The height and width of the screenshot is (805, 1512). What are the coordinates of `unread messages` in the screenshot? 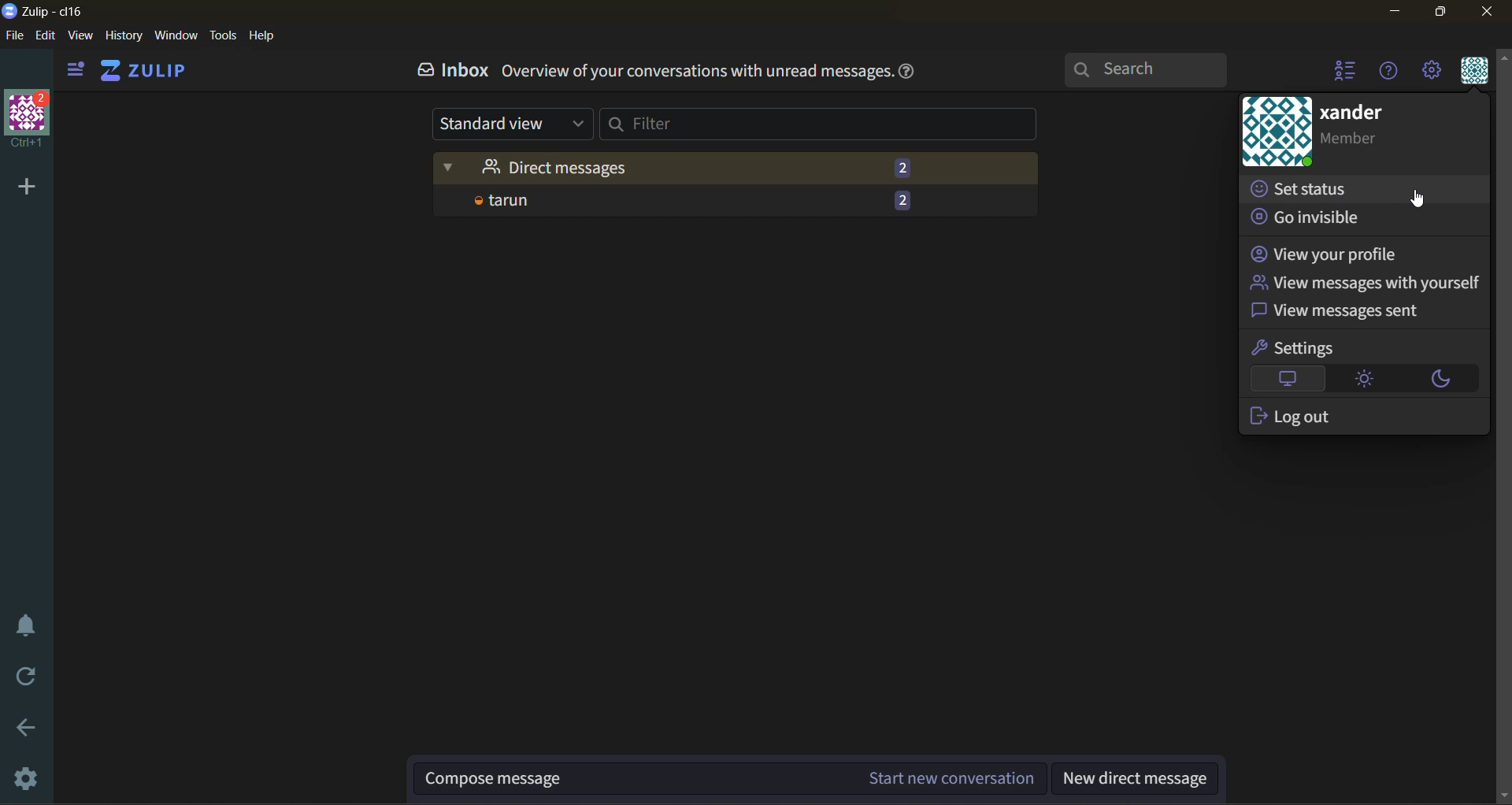 It's located at (737, 163).